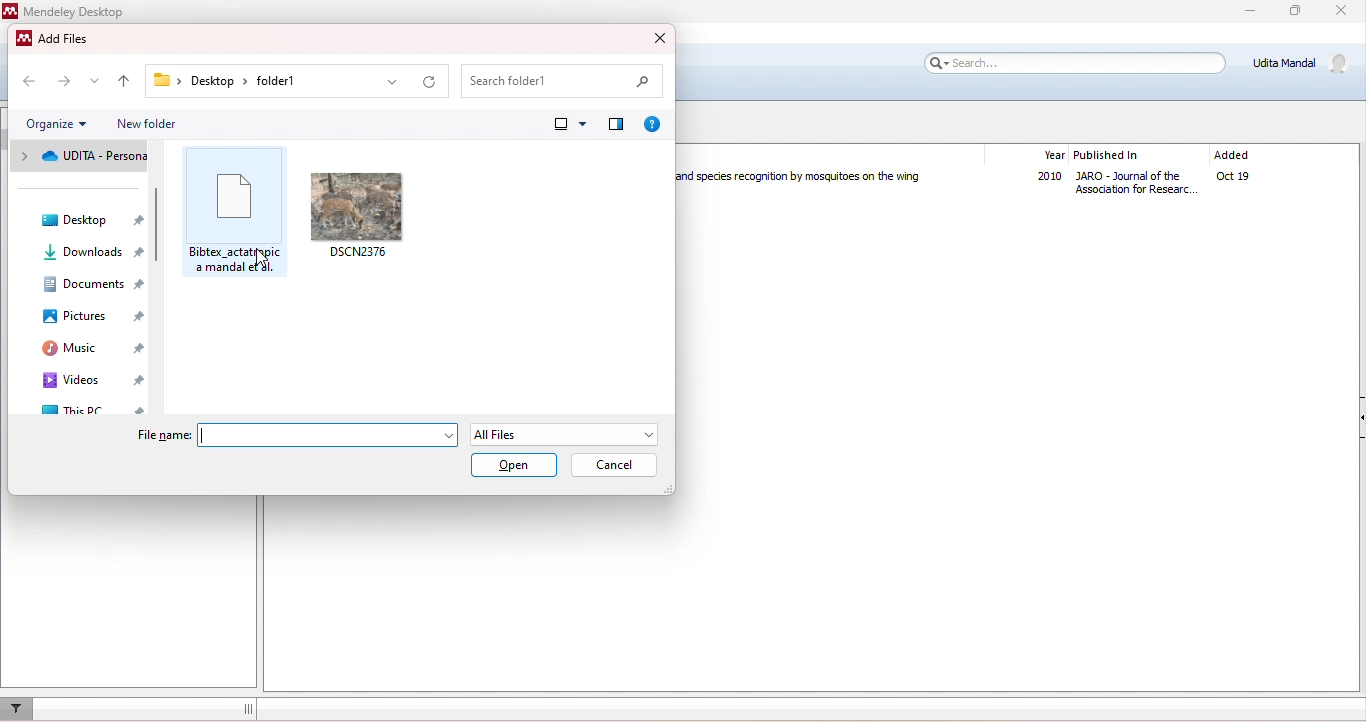 Image resolution: width=1366 pixels, height=722 pixels. Describe the element at coordinates (1362, 417) in the screenshot. I see `Collapse/Expand` at that location.